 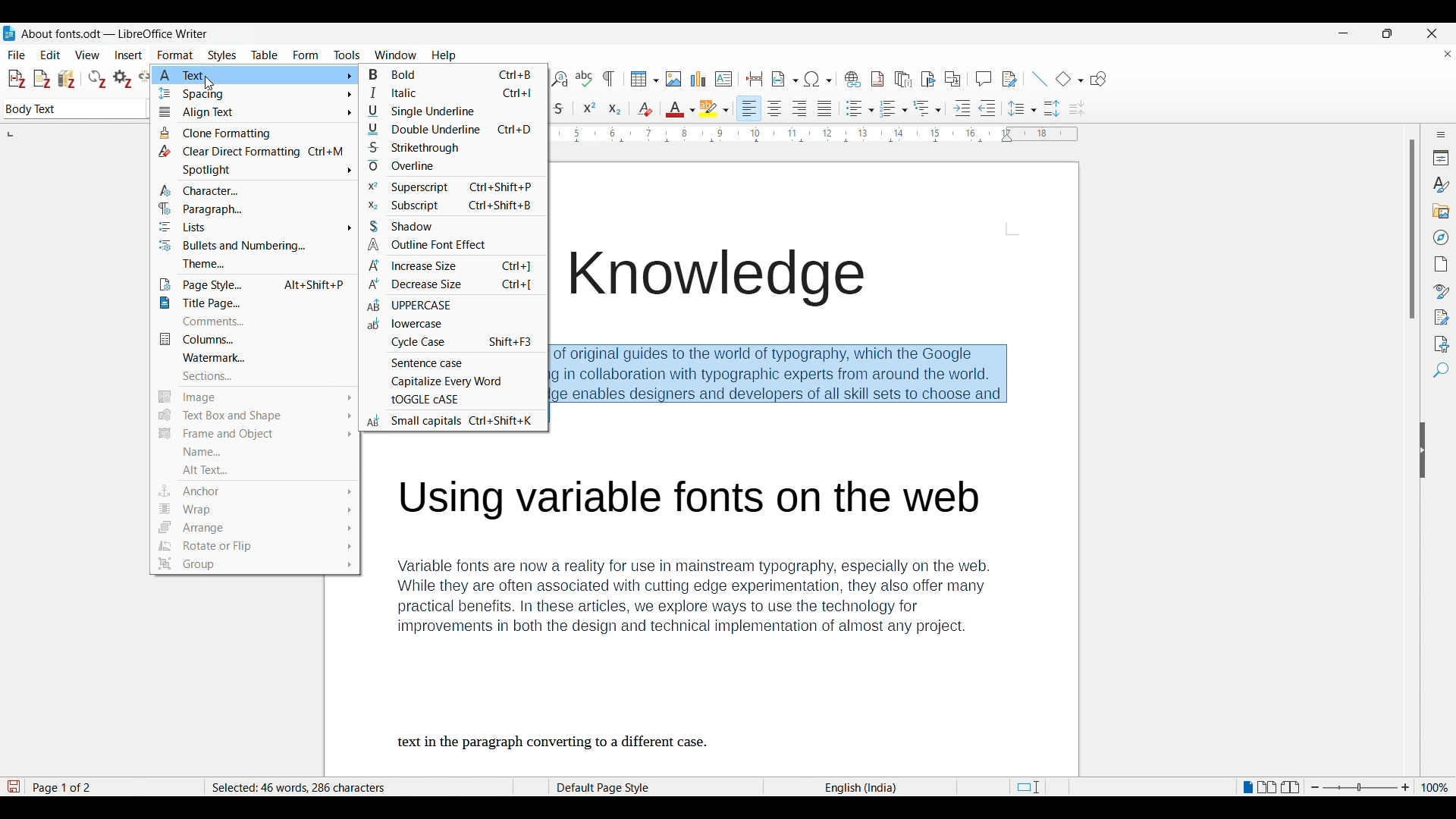 What do you see at coordinates (1360, 787) in the screenshot?
I see `Zoom slider` at bounding box center [1360, 787].